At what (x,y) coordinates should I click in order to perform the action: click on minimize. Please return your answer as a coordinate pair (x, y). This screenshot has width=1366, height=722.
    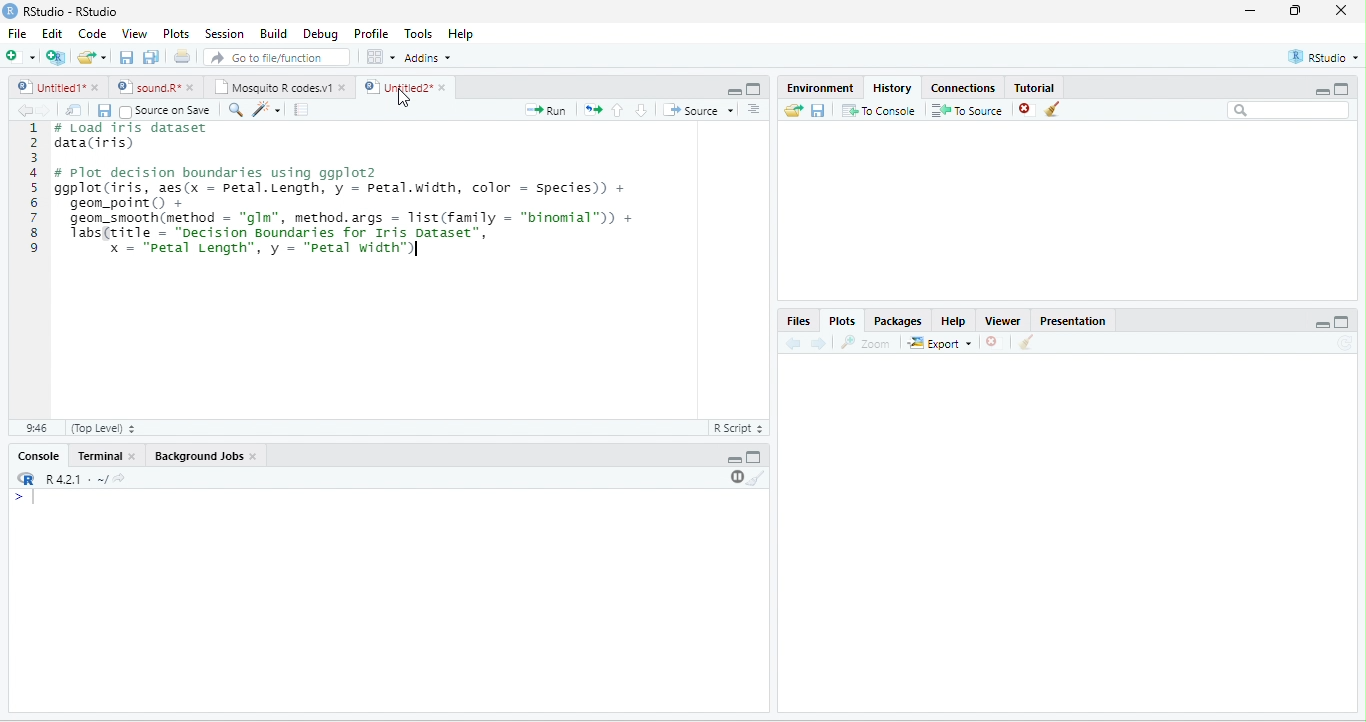
    Looking at the image, I should click on (1251, 10).